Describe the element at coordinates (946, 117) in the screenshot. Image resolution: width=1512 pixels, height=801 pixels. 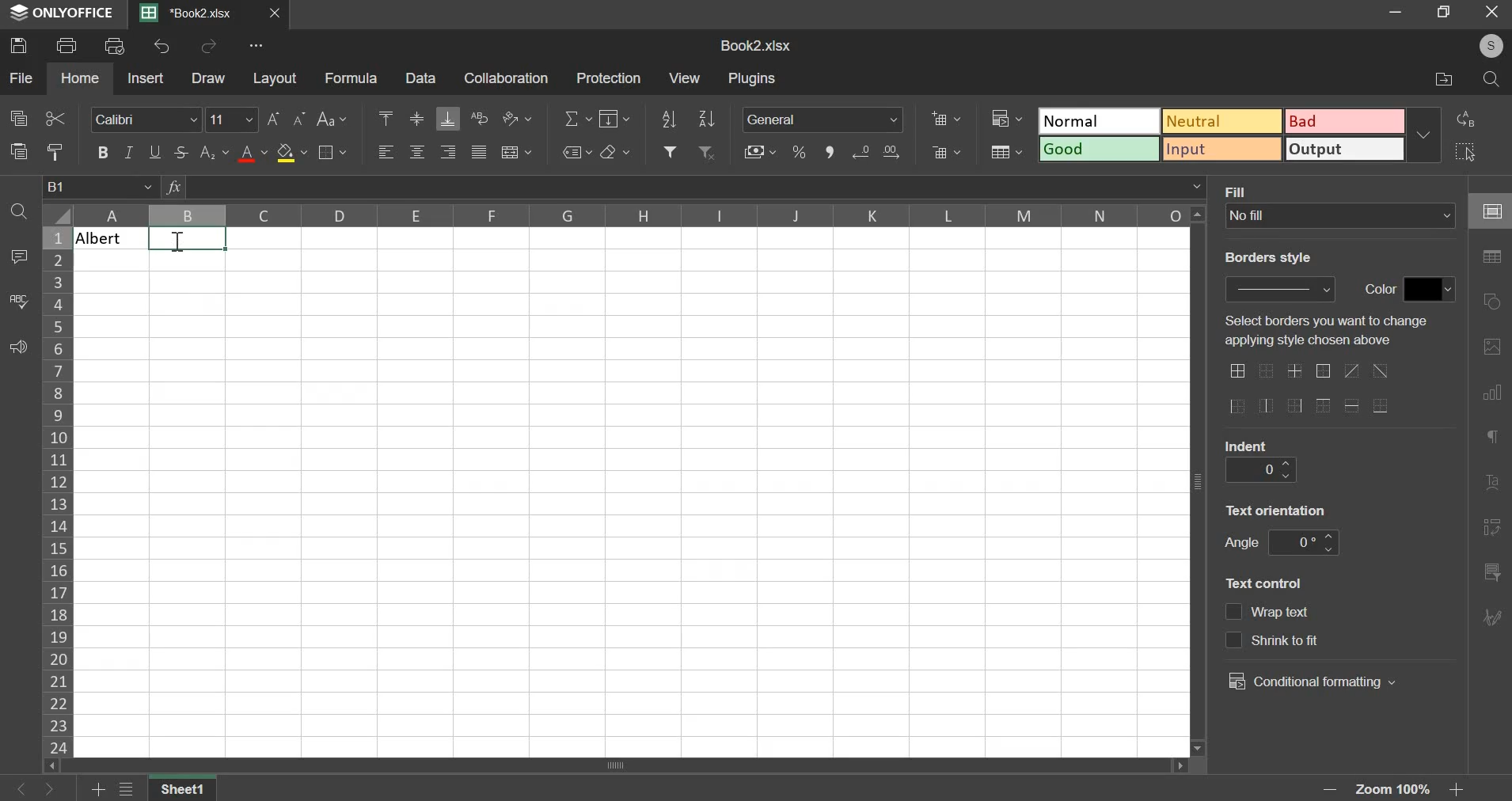
I see `add cells` at that location.